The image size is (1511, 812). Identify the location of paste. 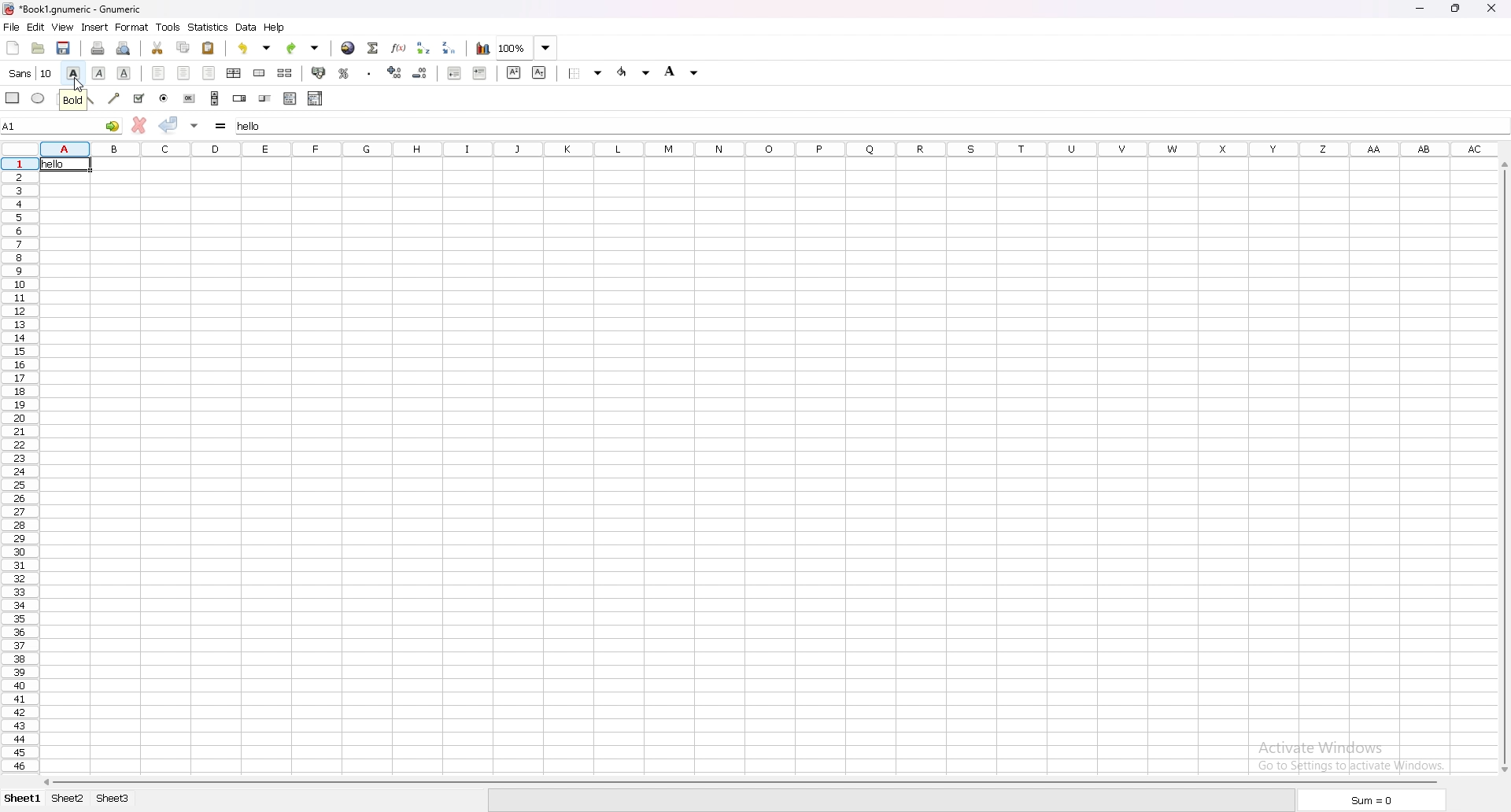
(209, 49).